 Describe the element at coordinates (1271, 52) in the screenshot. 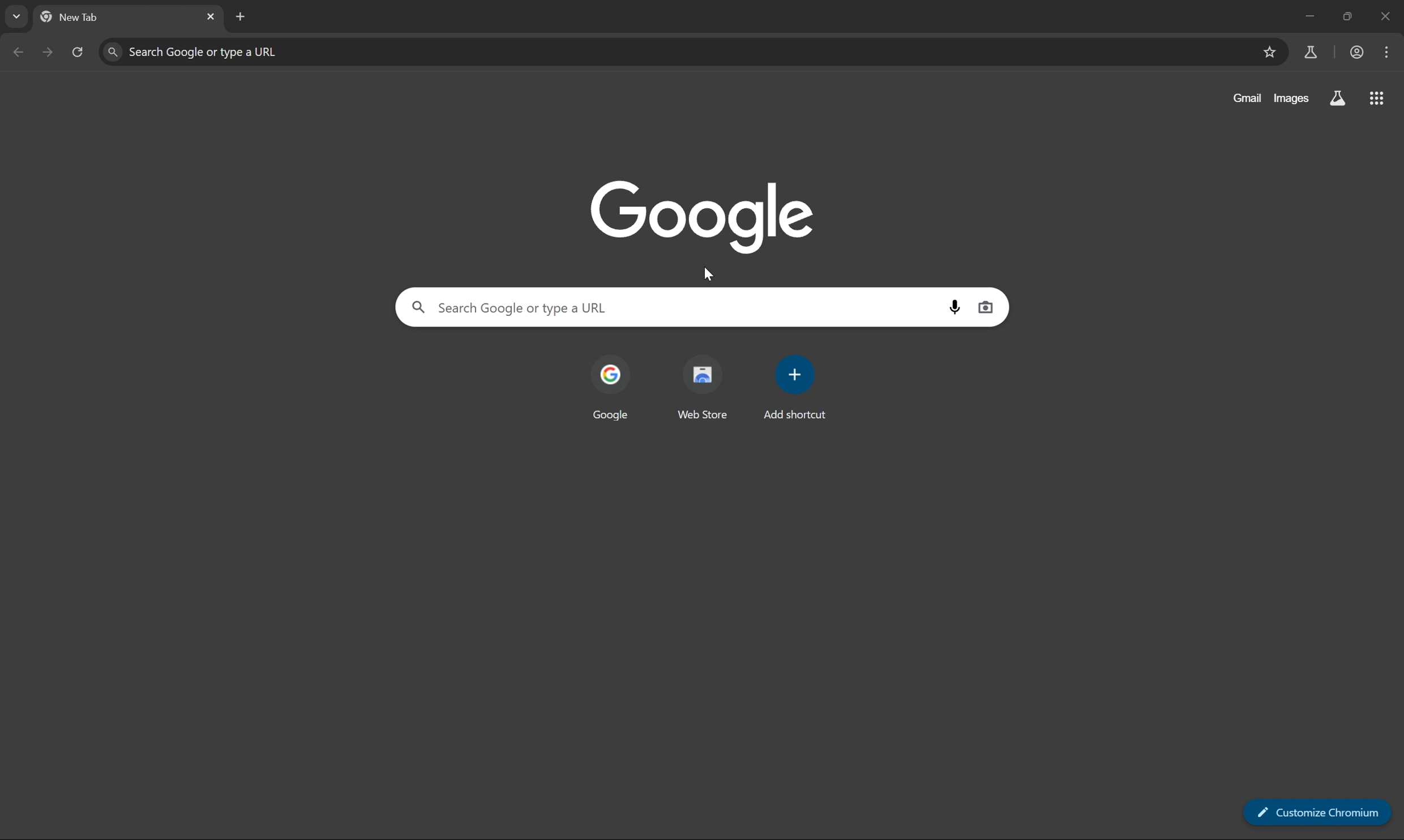

I see `bookmarks` at that location.